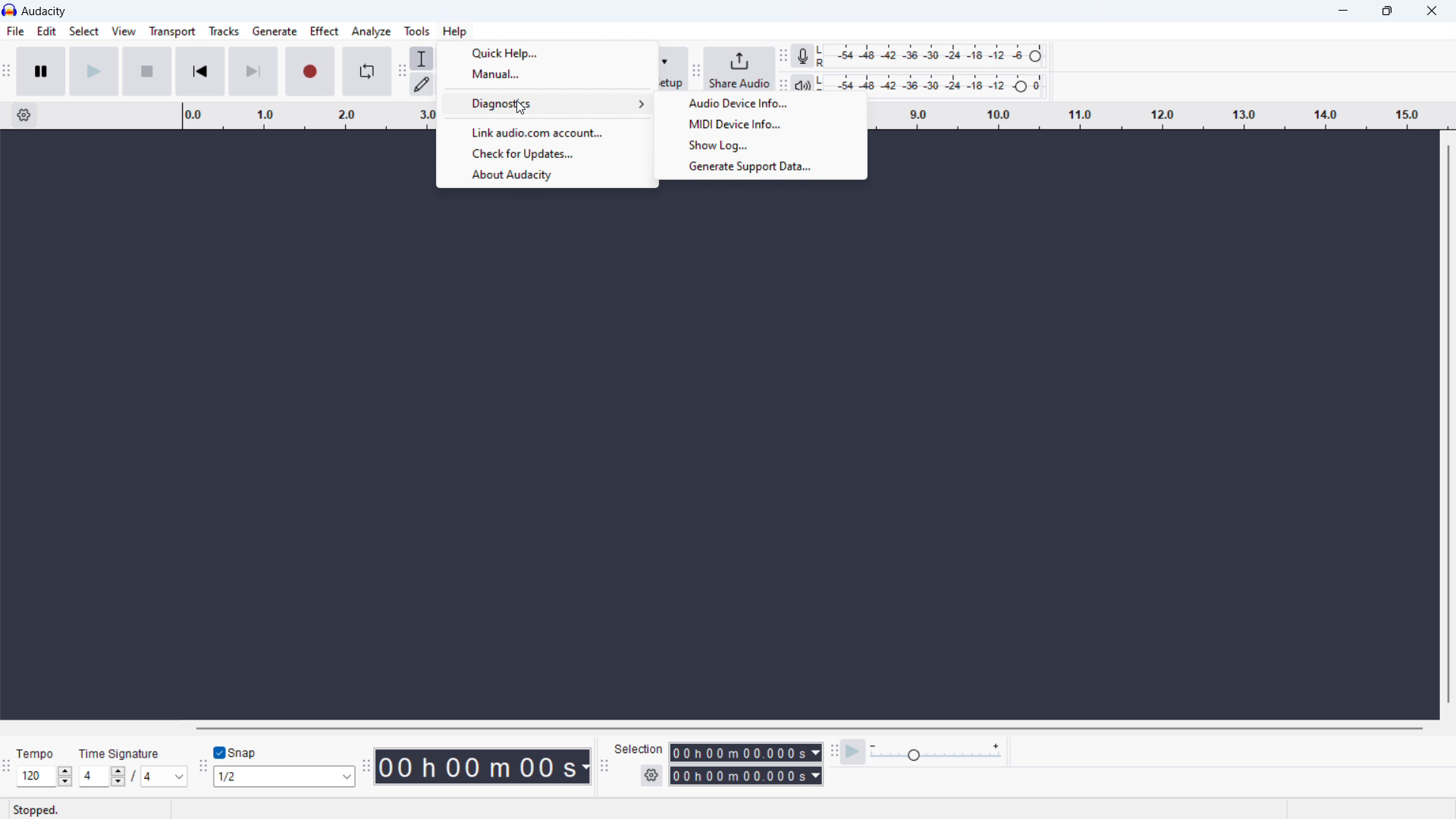 This screenshot has width=1456, height=819. What do you see at coordinates (24, 116) in the screenshot?
I see `timeline settings` at bounding box center [24, 116].